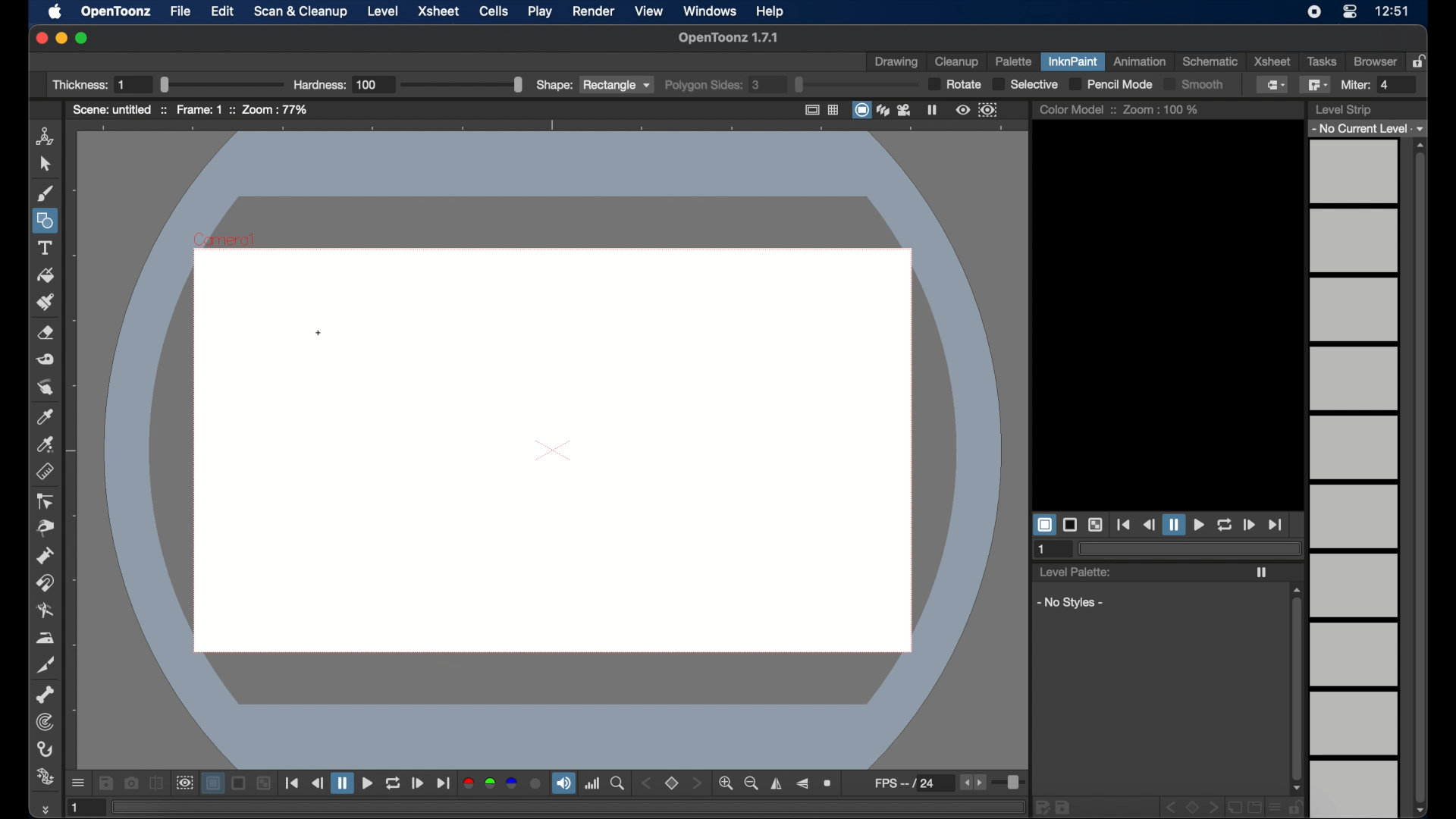 The width and height of the screenshot is (1456, 819). What do you see at coordinates (1420, 477) in the screenshot?
I see `scroll box` at bounding box center [1420, 477].